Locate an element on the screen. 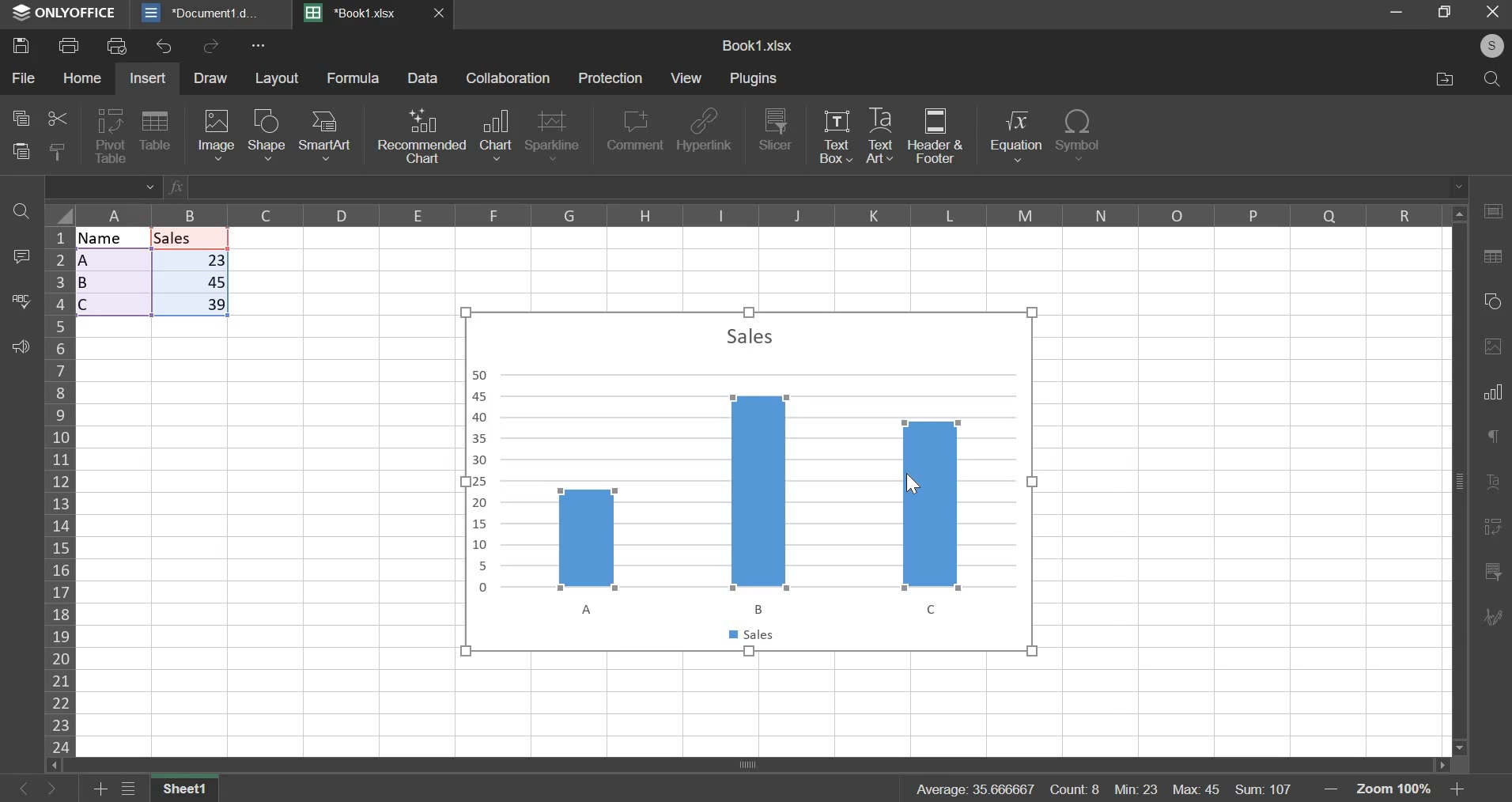  comment is located at coordinates (24, 259).